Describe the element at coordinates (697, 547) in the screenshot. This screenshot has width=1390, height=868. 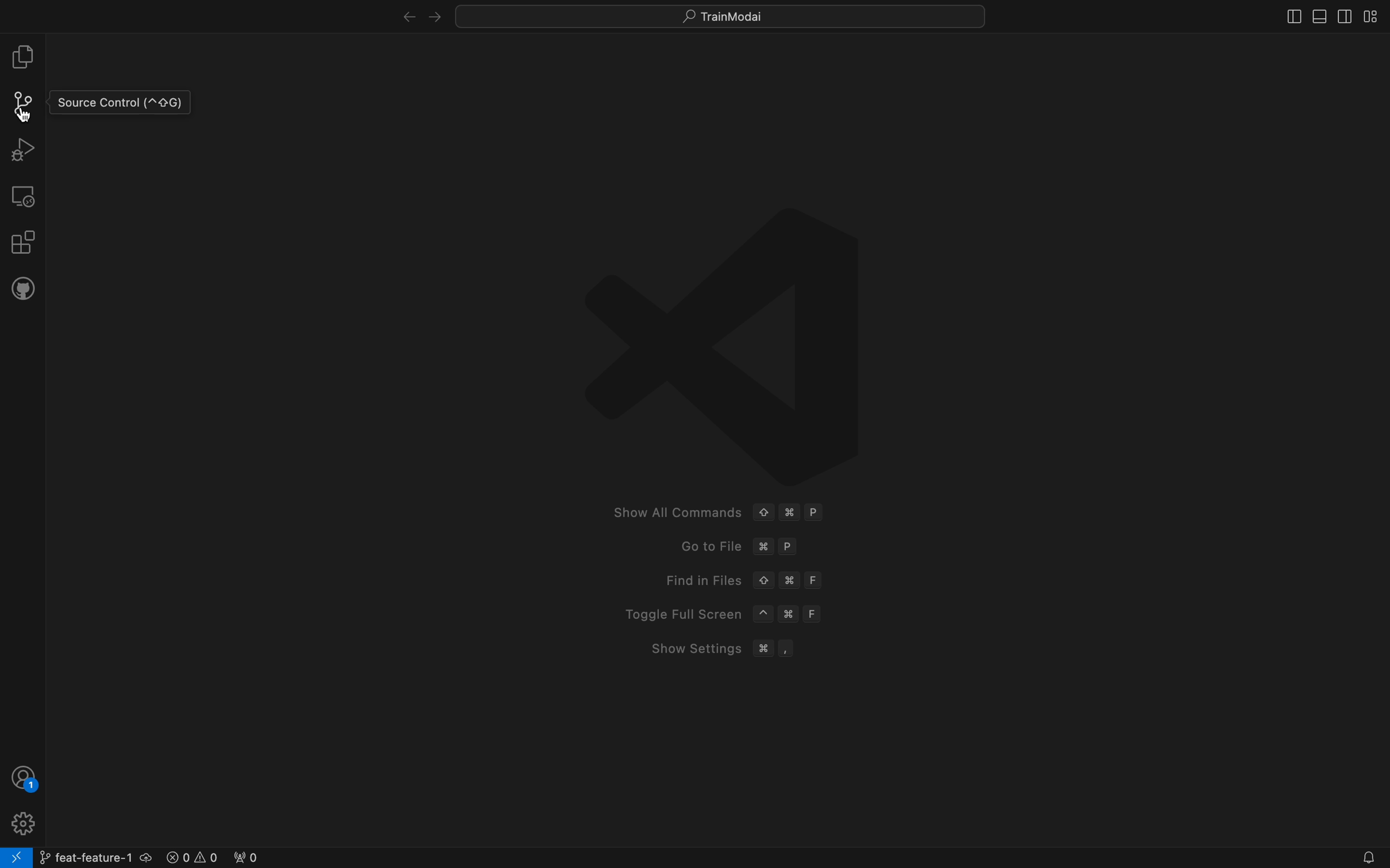
I see `Go to File` at that location.